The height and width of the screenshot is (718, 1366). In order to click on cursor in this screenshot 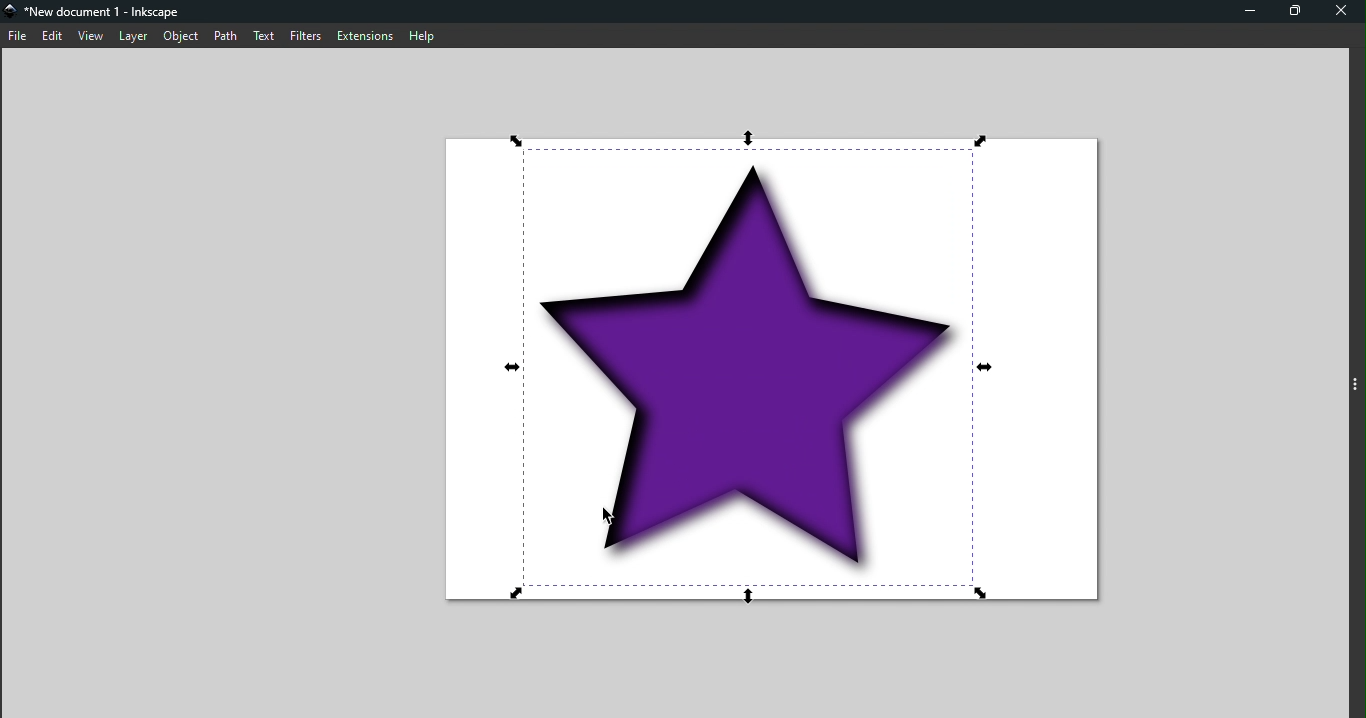, I will do `click(606, 516)`.